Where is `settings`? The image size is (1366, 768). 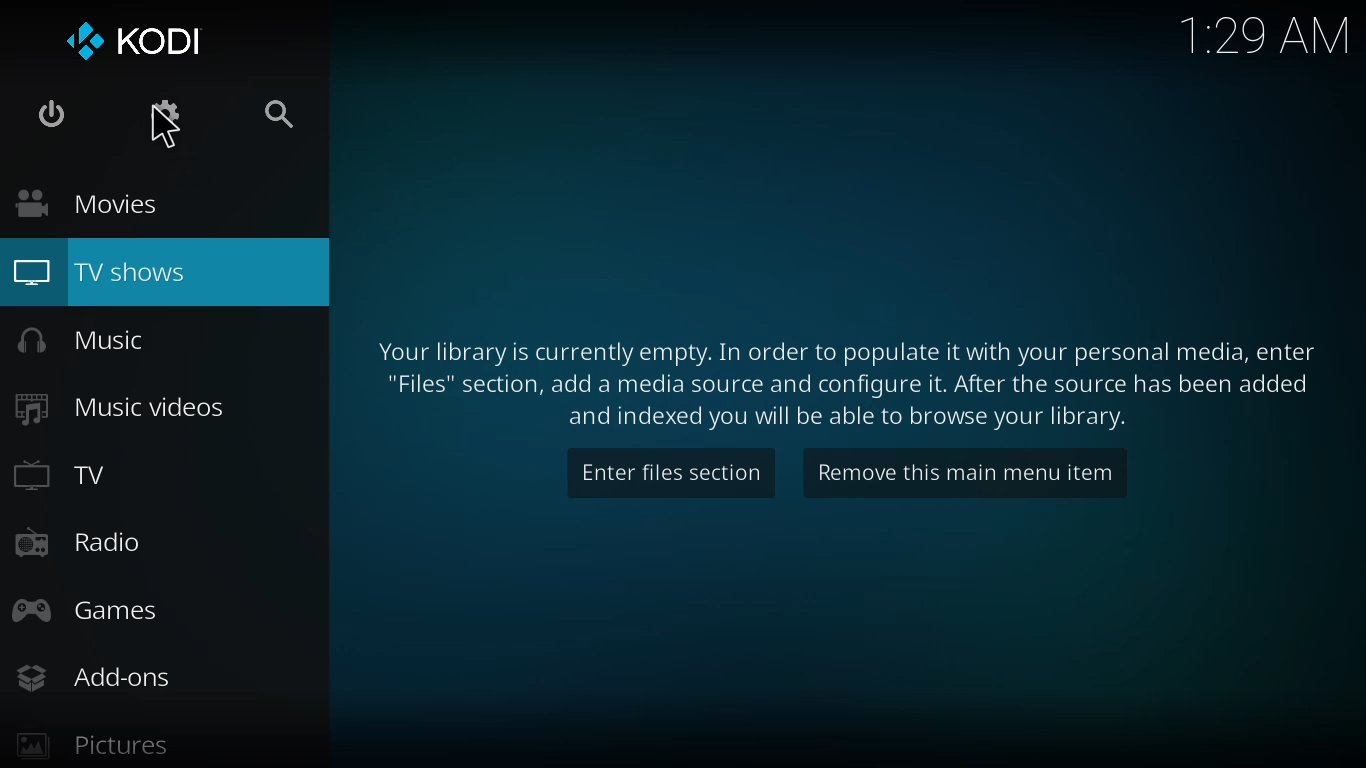
settings is located at coordinates (165, 117).